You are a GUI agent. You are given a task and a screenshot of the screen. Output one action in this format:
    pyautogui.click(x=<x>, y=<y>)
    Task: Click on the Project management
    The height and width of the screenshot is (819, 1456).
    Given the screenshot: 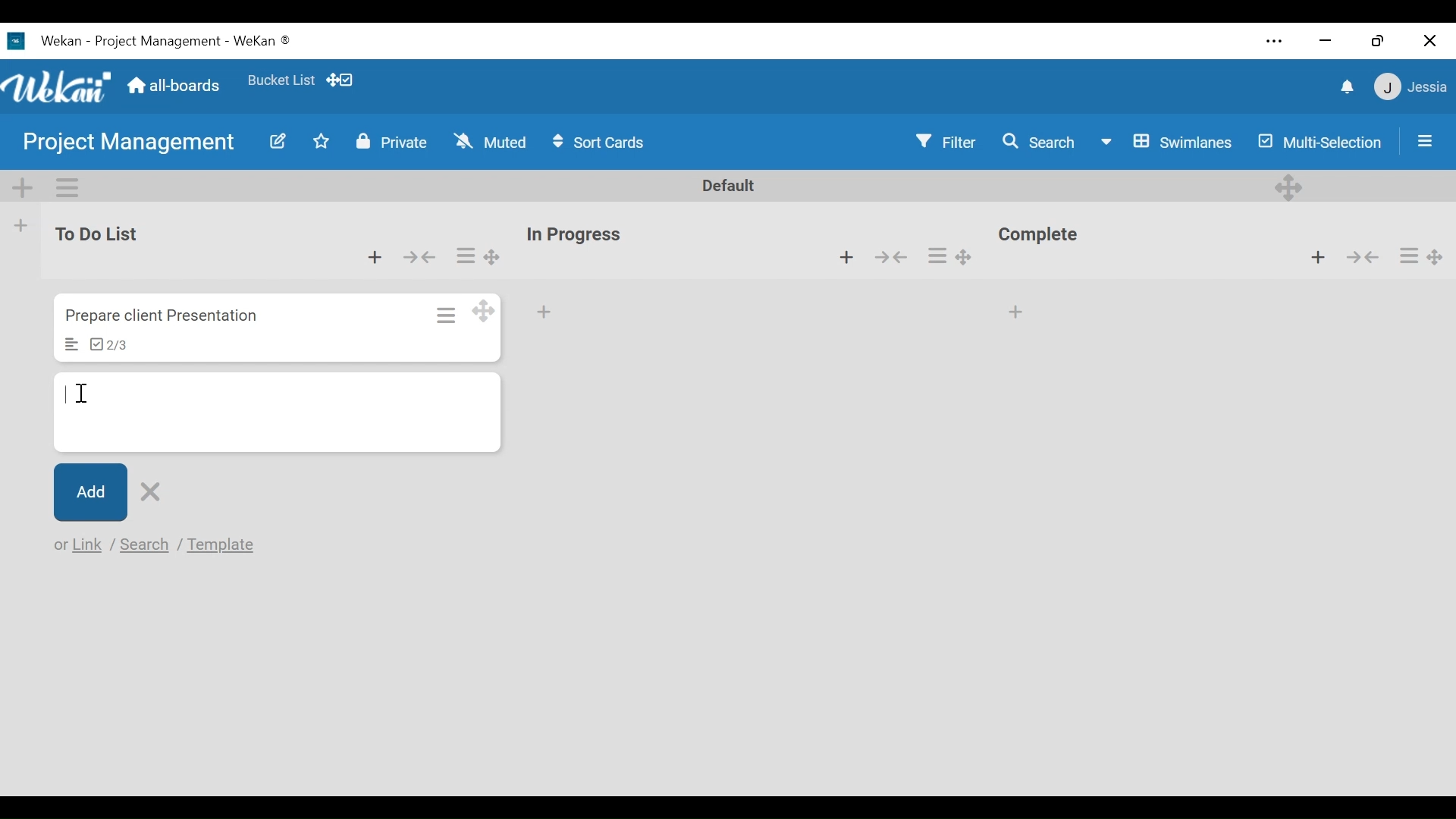 What is the action you would take?
    pyautogui.click(x=122, y=143)
    